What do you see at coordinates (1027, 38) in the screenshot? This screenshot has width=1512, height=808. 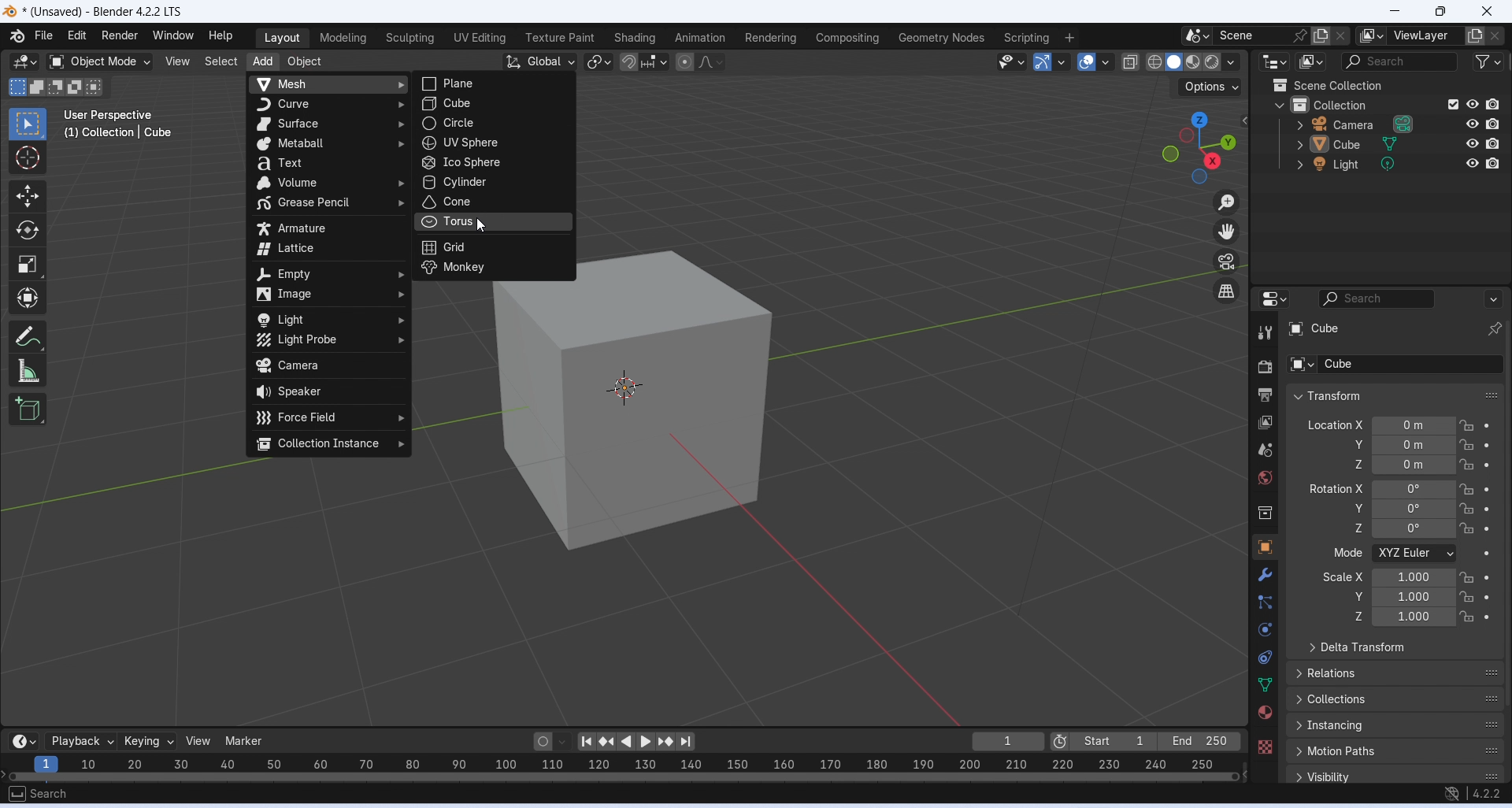 I see `Scripting` at bounding box center [1027, 38].